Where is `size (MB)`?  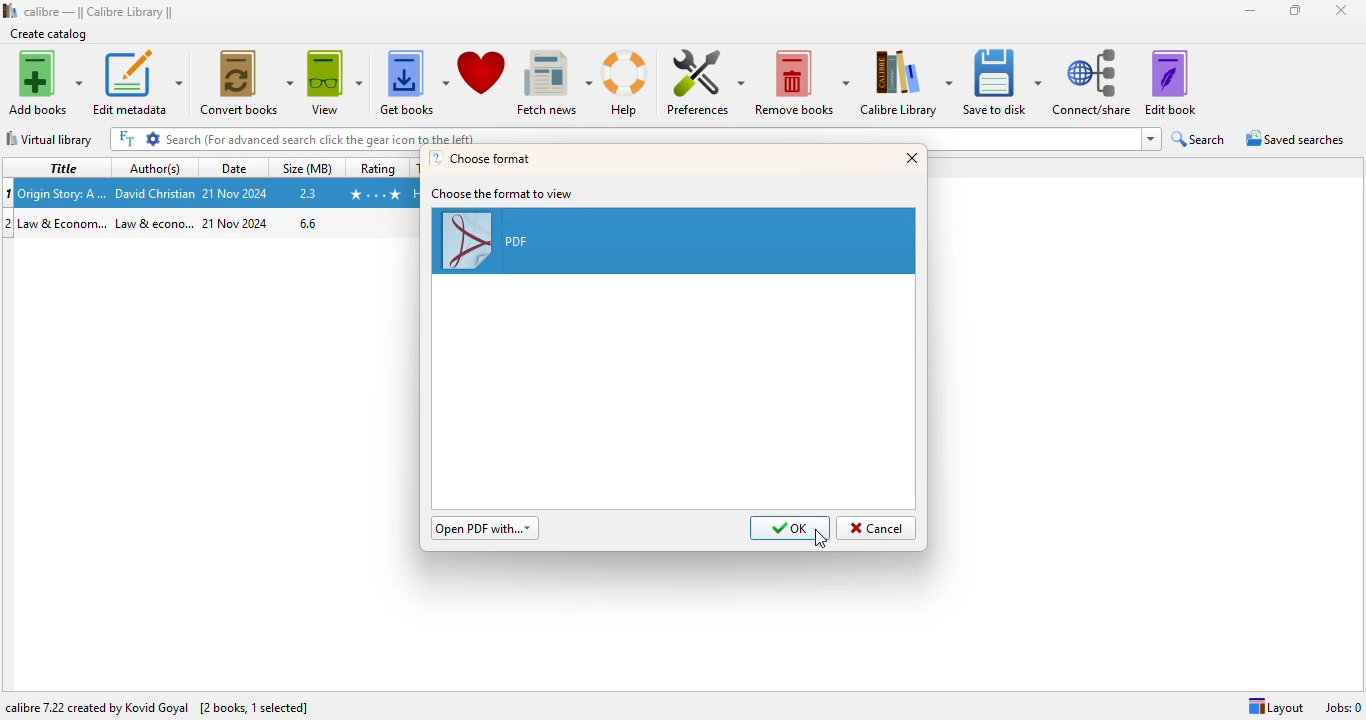
size (MB) is located at coordinates (309, 167).